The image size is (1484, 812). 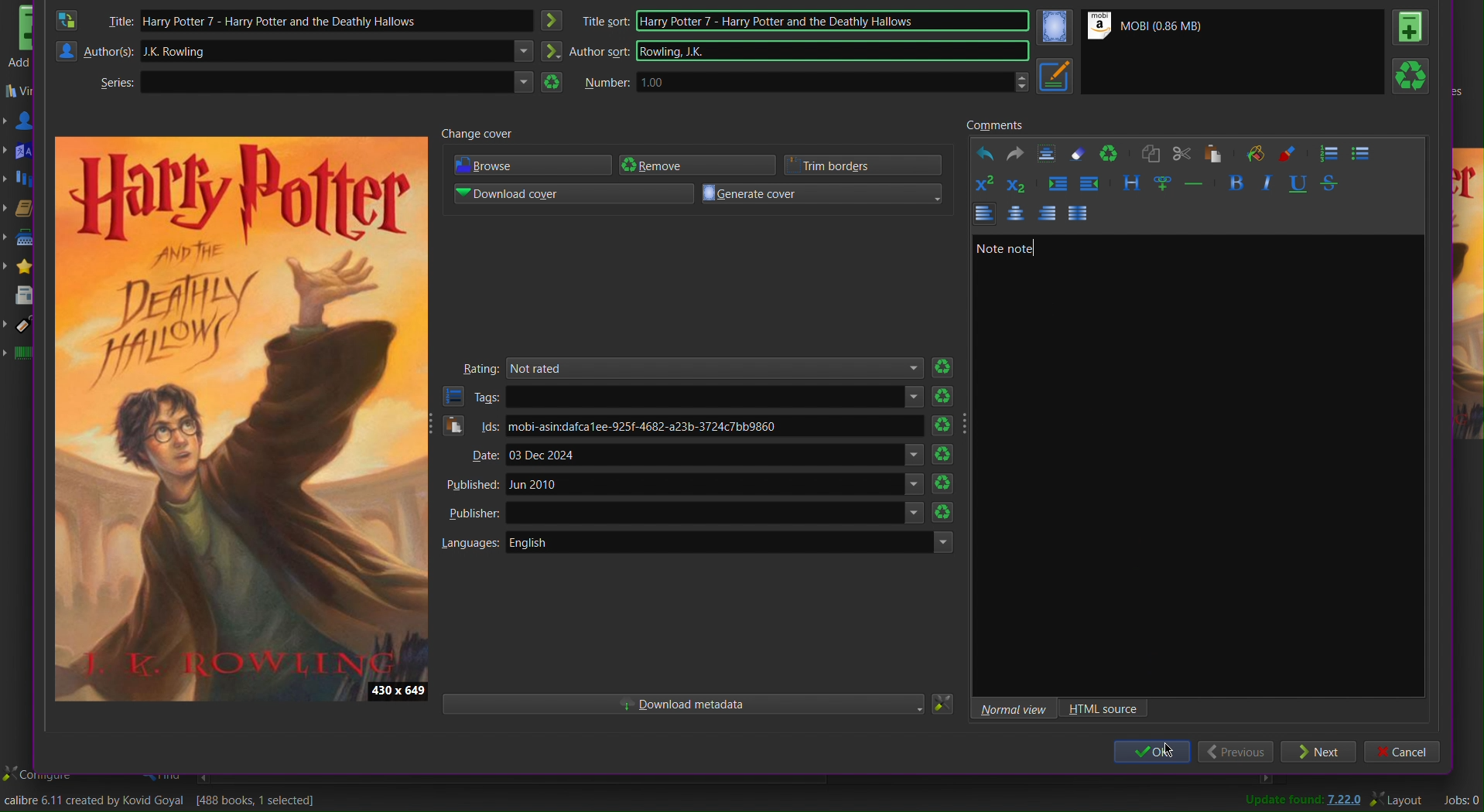 I want to click on Erase, so click(x=1077, y=151).